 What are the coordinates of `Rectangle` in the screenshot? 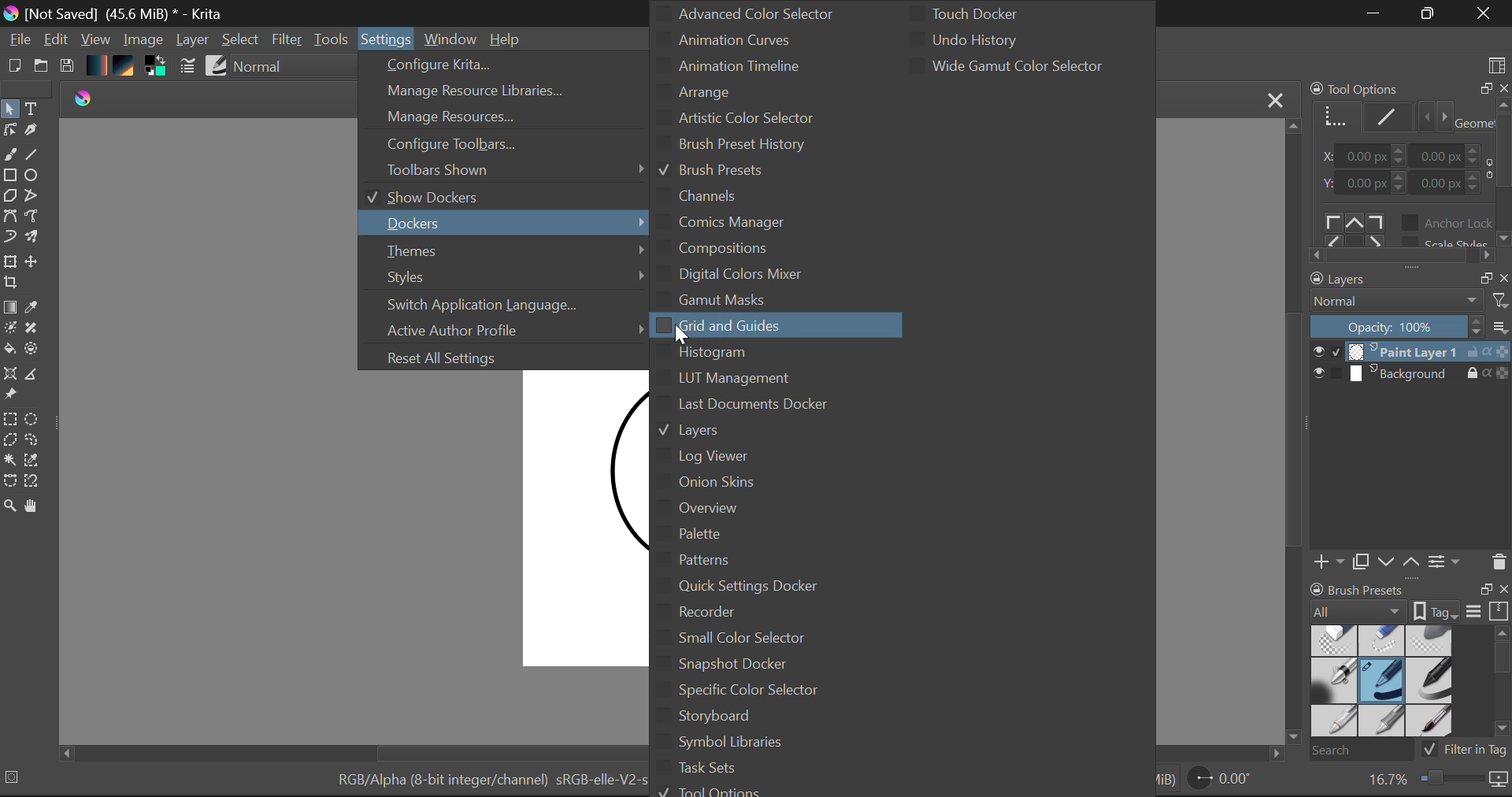 It's located at (9, 176).